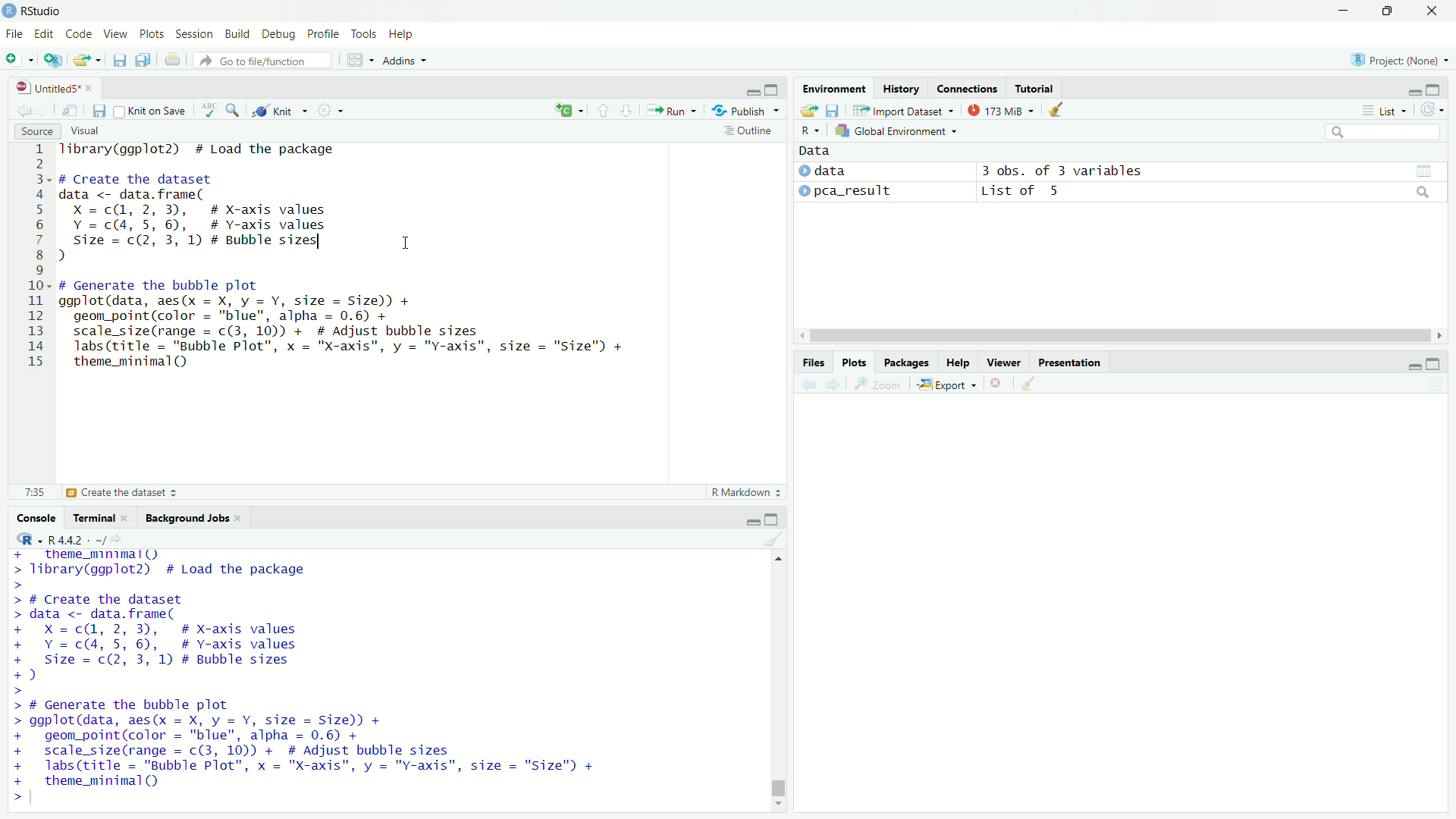  What do you see at coordinates (836, 89) in the screenshot?
I see `environment` at bounding box center [836, 89].